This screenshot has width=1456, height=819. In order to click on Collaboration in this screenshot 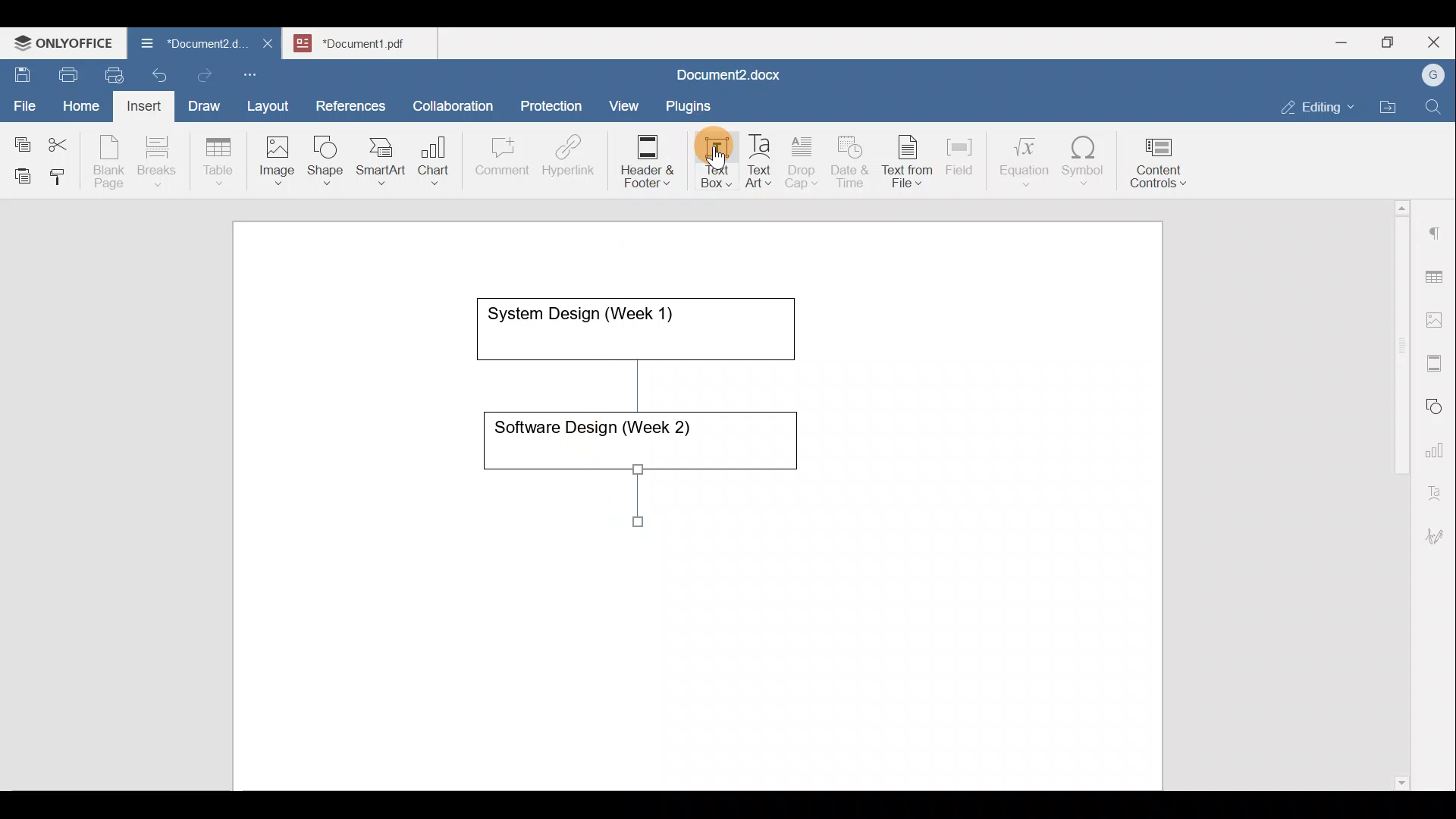, I will do `click(450, 98)`.